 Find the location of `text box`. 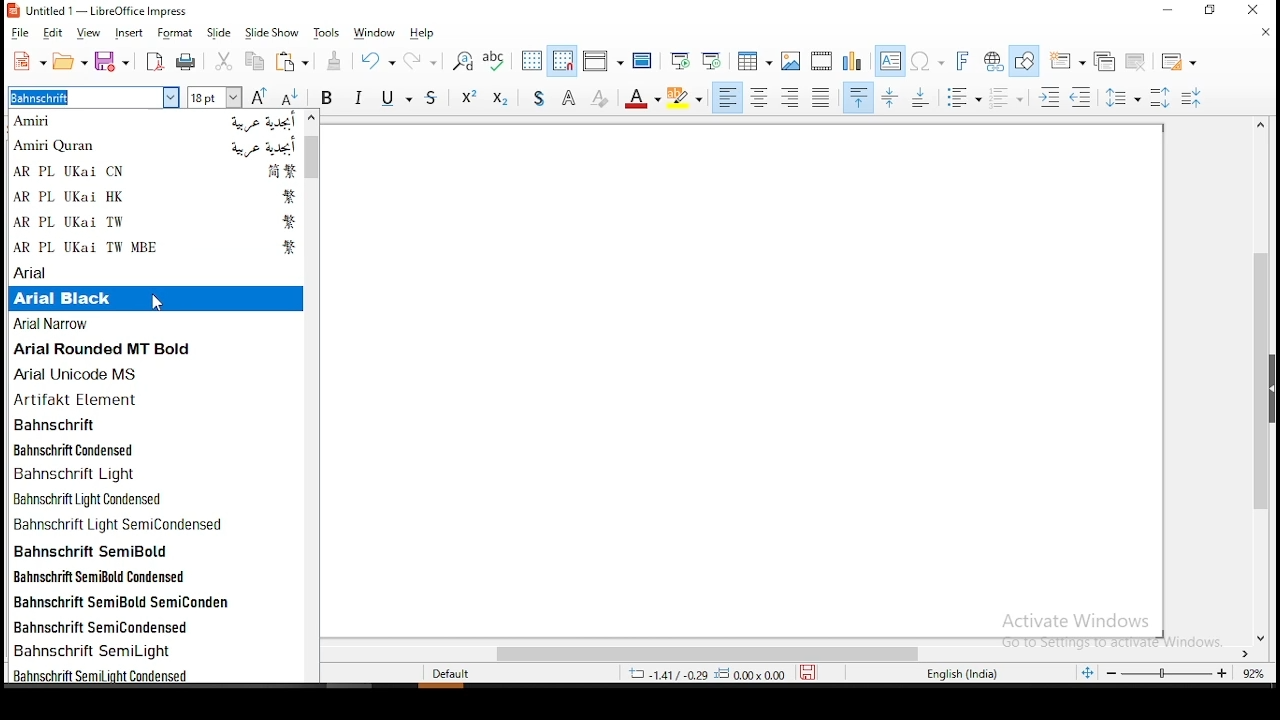

text box is located at coordinates (890, 59).